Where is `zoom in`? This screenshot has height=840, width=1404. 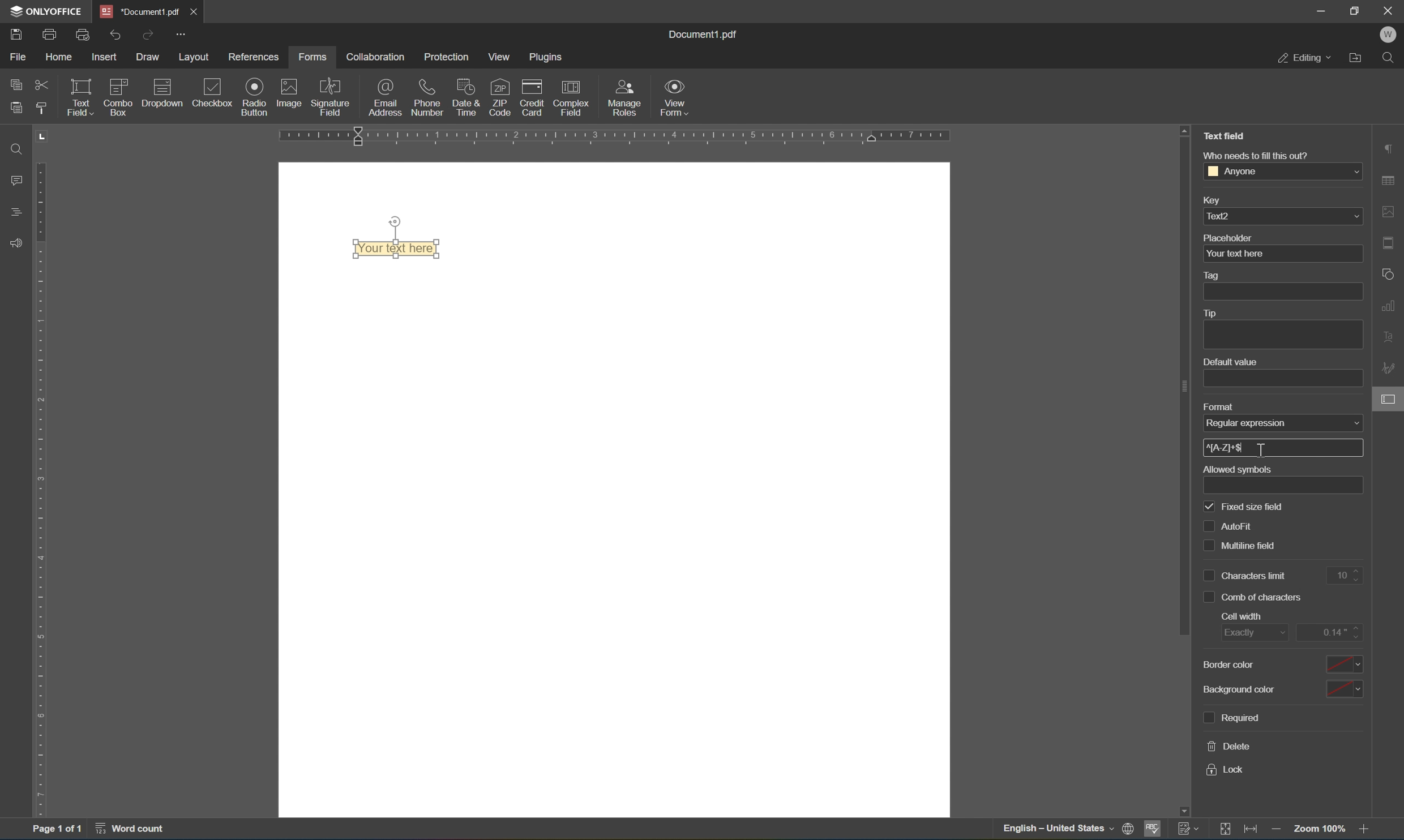
zoom in is located at coordinates (1364, 829).